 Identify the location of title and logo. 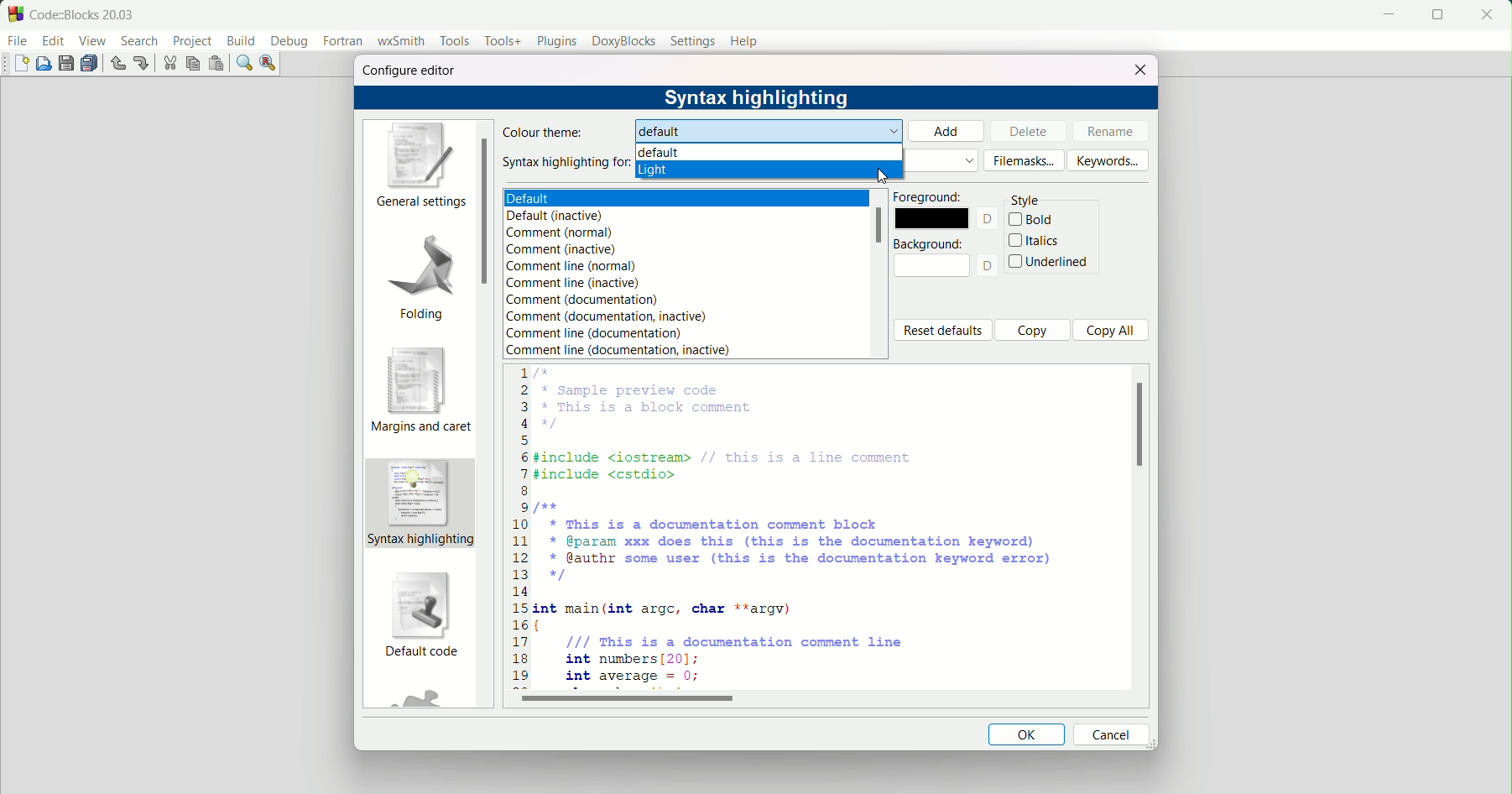
(73, 13).